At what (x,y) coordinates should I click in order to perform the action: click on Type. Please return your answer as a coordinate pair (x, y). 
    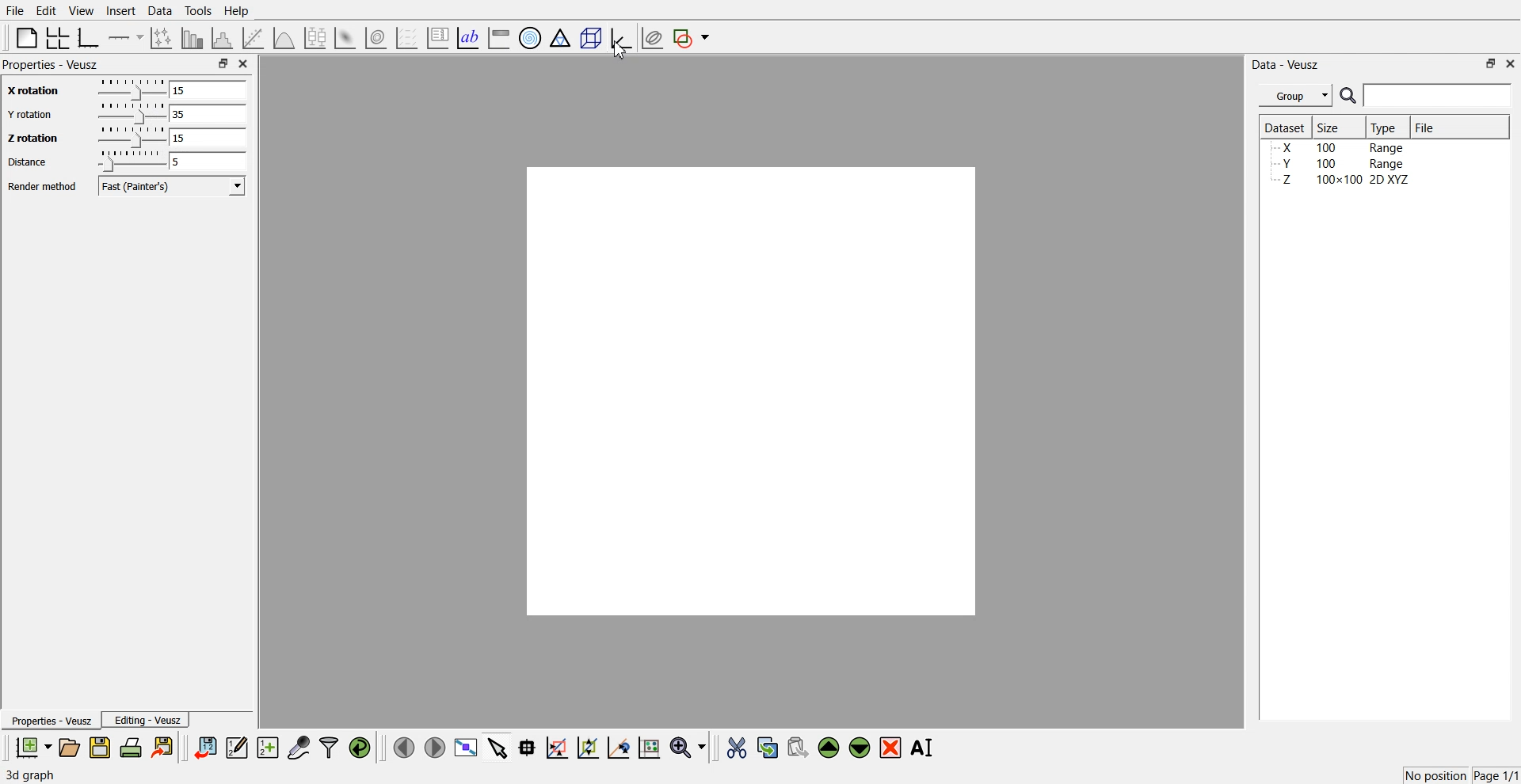
    Looking at the image, I should click on (1386, 127).